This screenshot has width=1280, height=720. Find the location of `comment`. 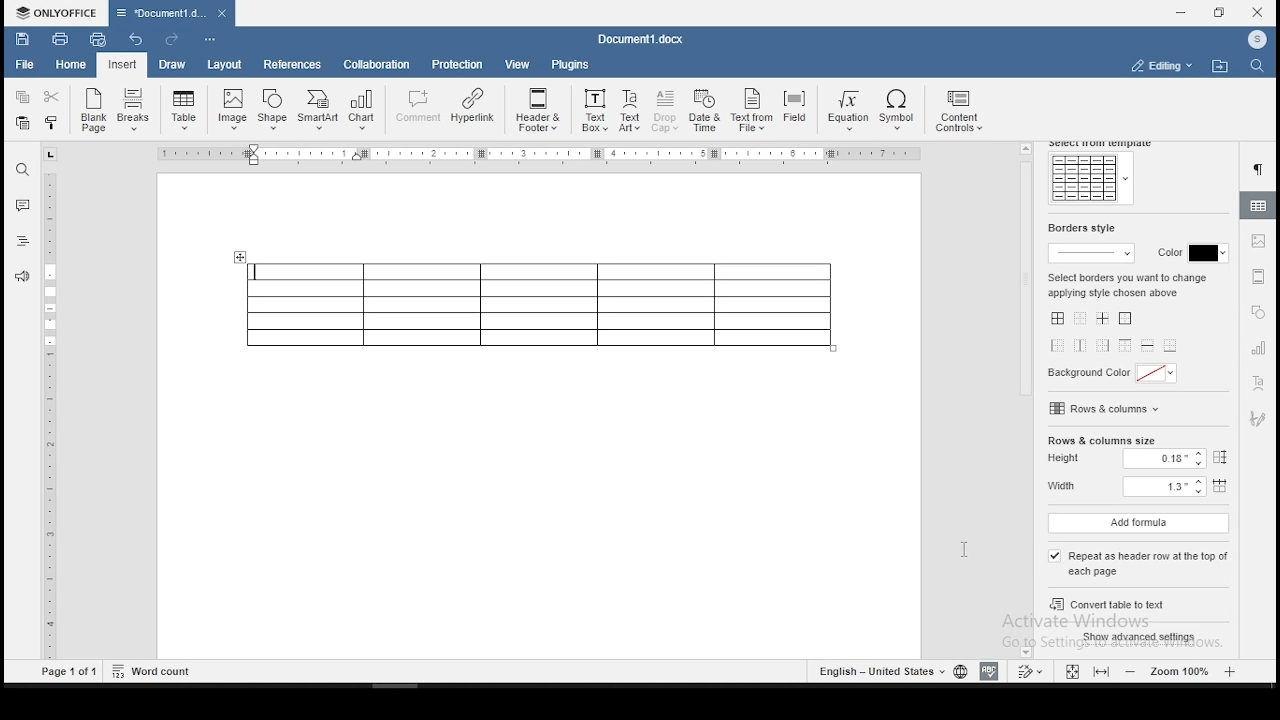

comment is located at coordinates (22, 203).